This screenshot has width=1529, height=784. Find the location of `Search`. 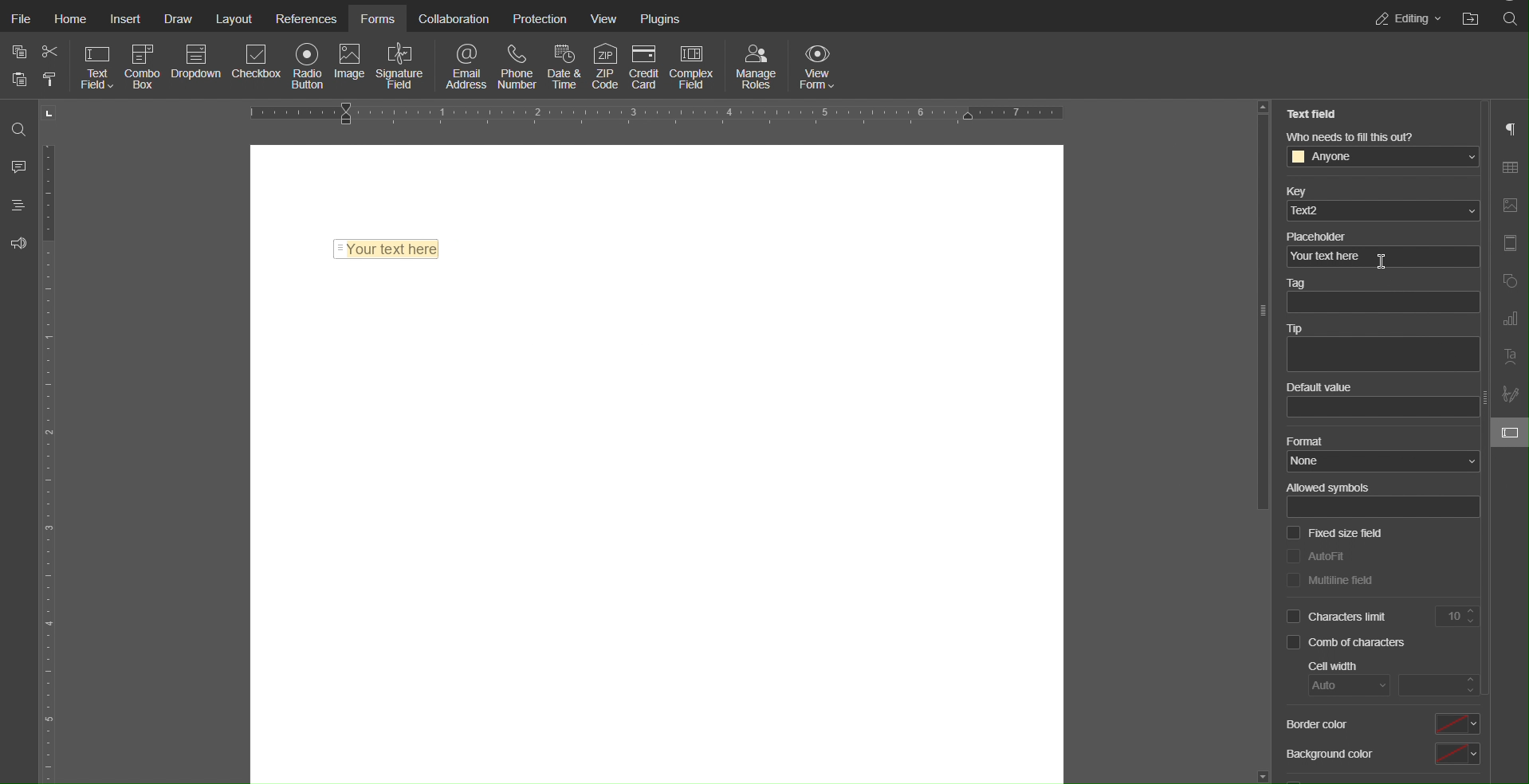

Search is located at coordinates (21, 128).